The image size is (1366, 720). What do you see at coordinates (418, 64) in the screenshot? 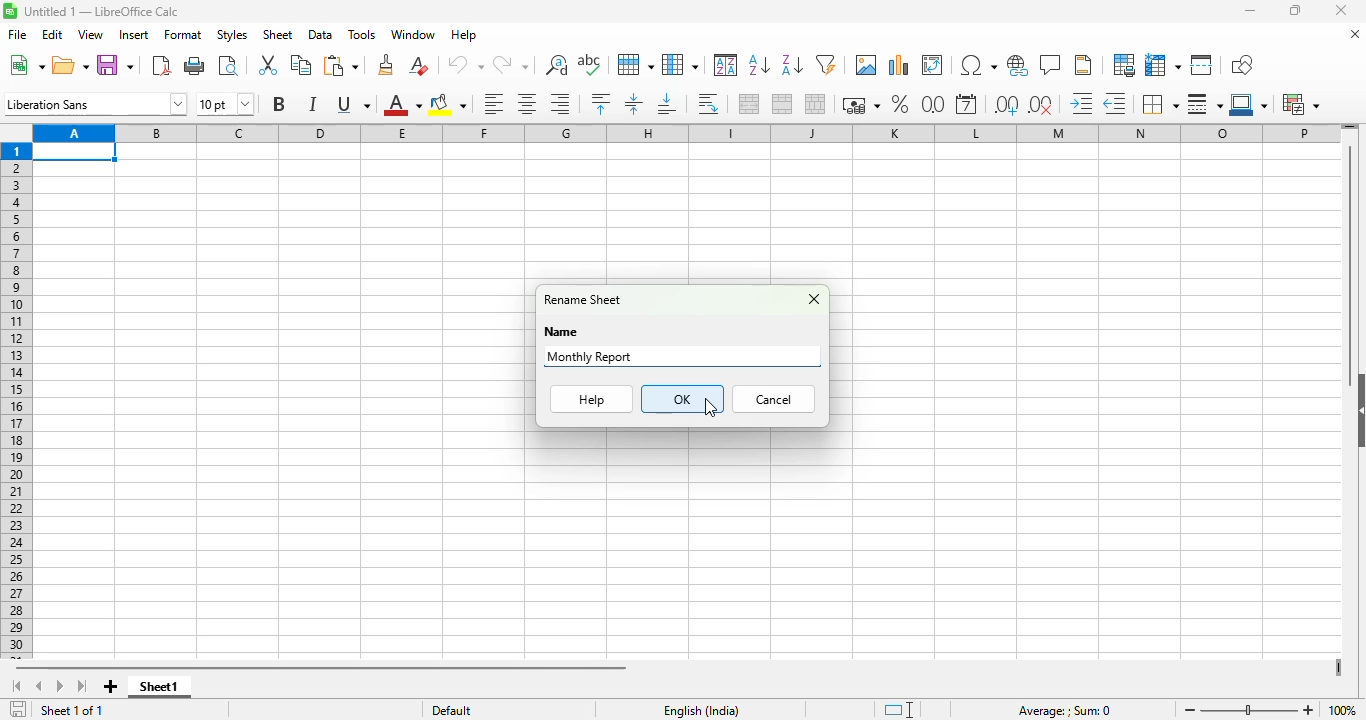
I see `clear direct formatting` at bounding box center [418, 64].